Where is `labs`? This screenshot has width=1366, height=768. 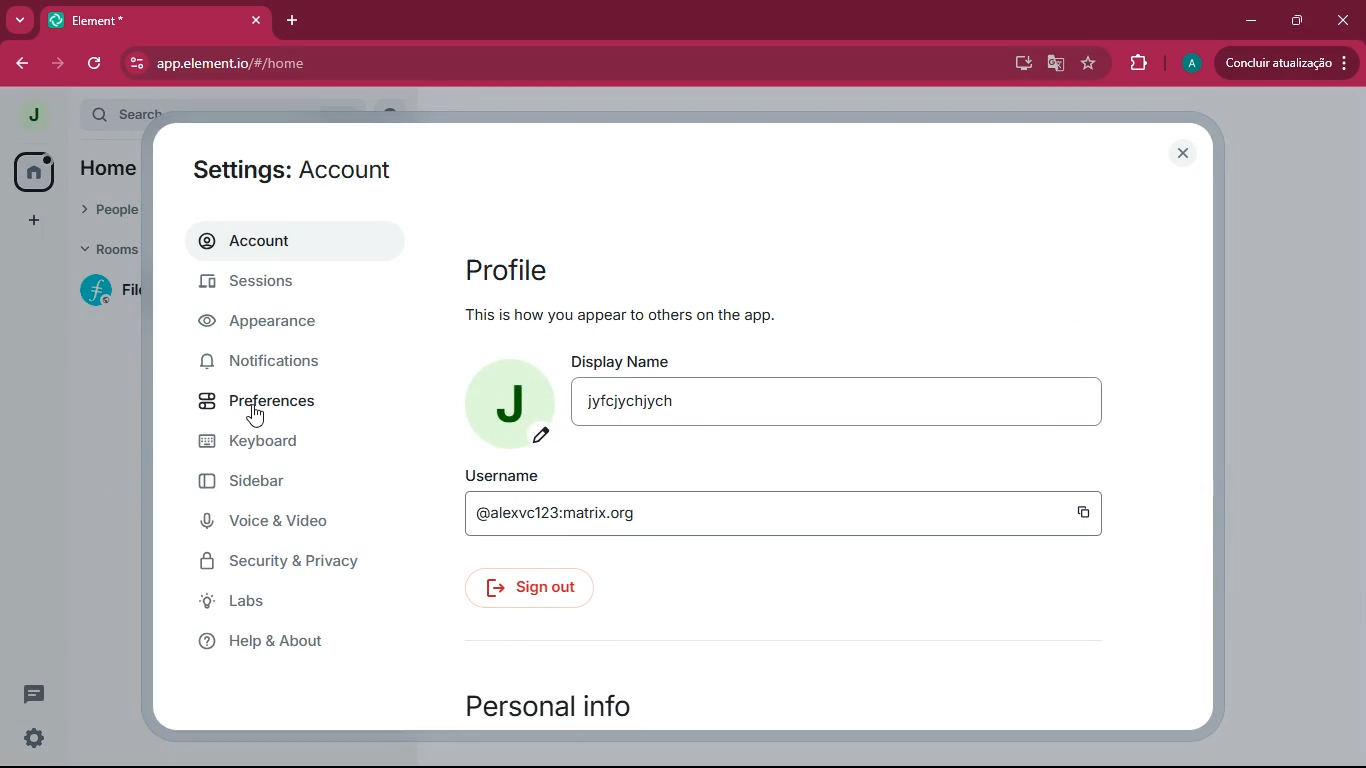 labs is located at coordinates (271, 601).